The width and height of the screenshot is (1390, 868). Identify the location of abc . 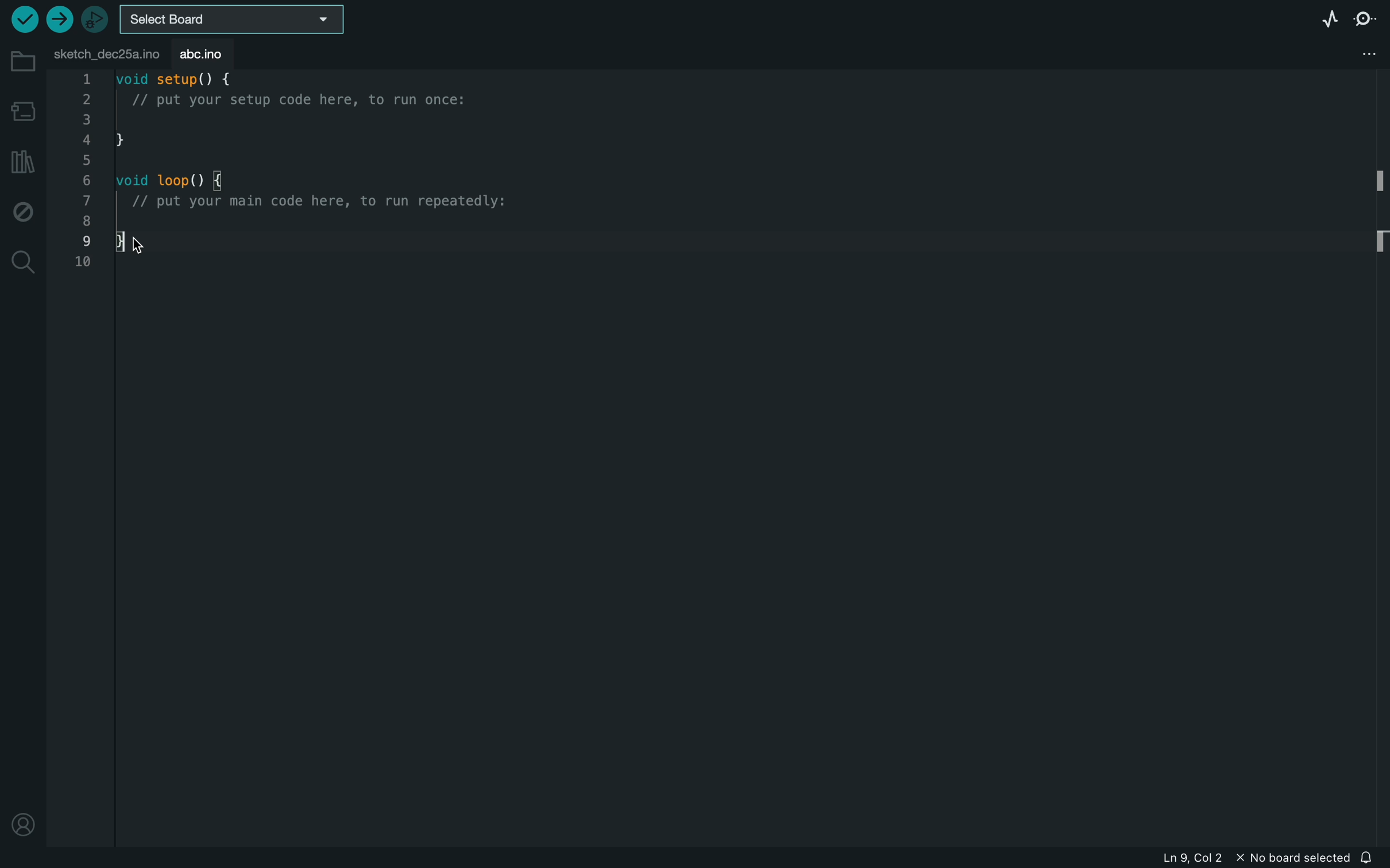
(201, 52).